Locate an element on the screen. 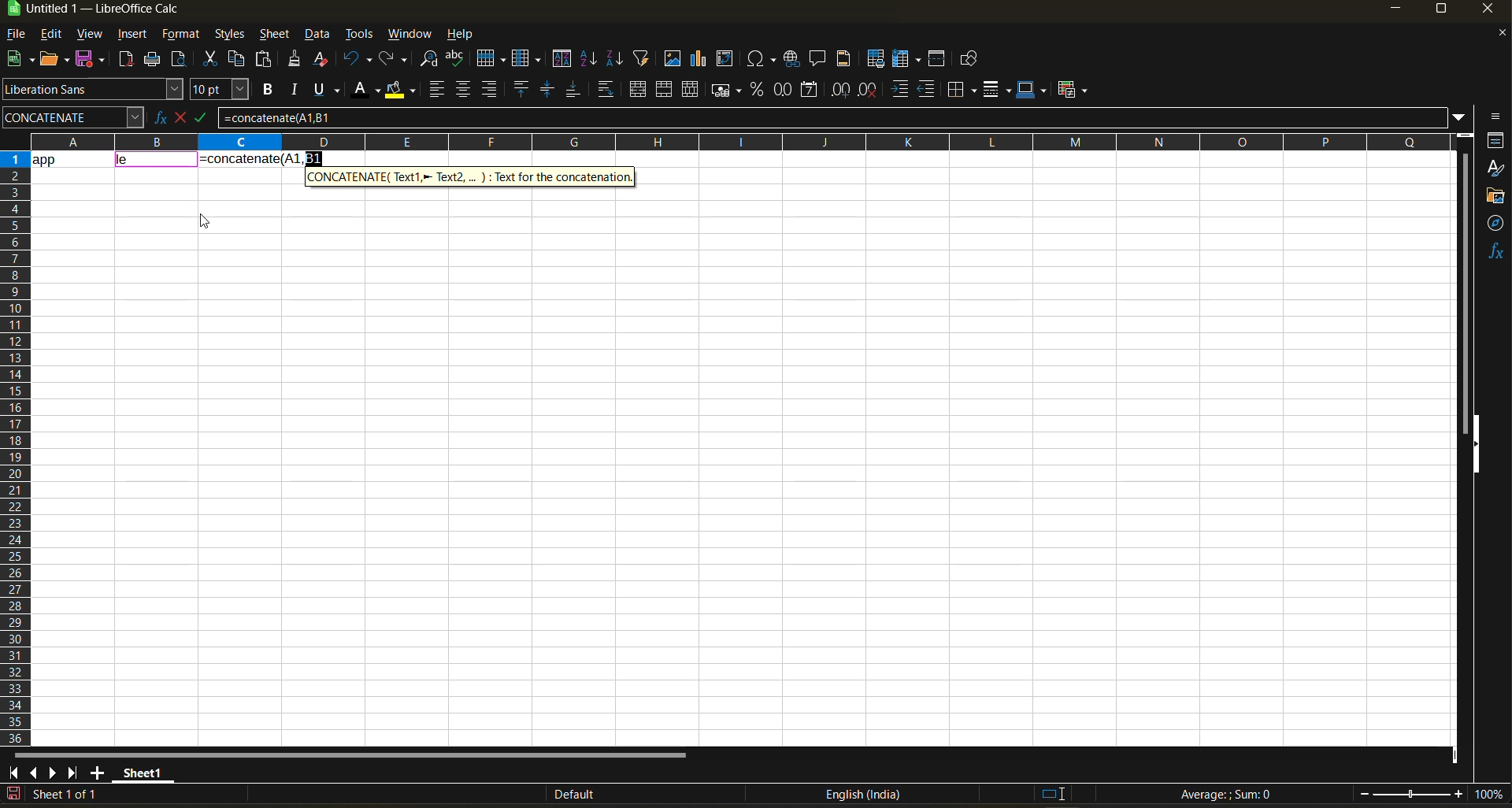 The image size is (1512, 808). selected cell is located at coordinates (157, 161).